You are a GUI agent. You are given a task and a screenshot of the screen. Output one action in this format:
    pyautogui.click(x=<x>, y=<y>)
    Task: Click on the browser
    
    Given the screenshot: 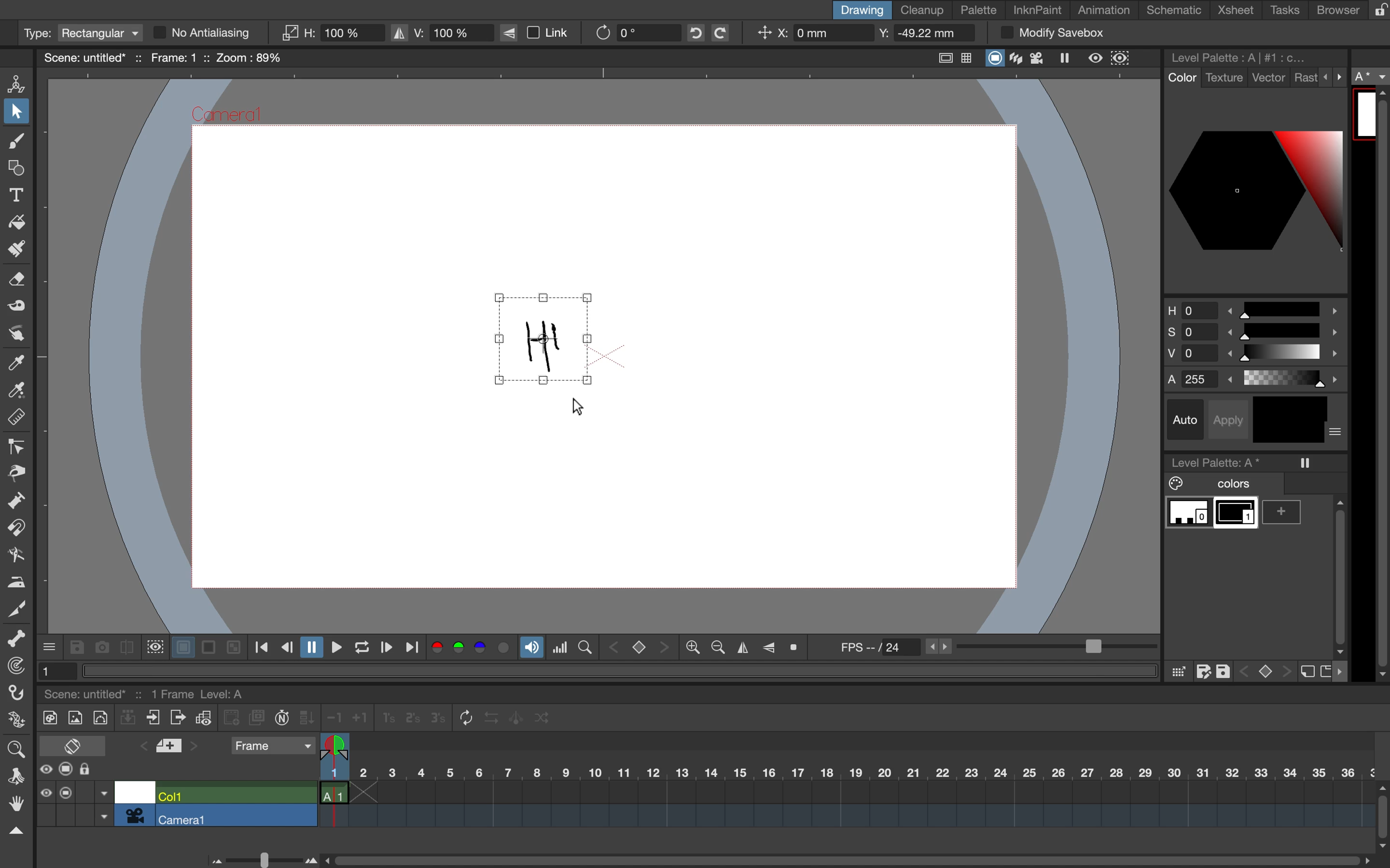 What is the action you would take?
    pyautogui.click(x=1330, y=9)
    